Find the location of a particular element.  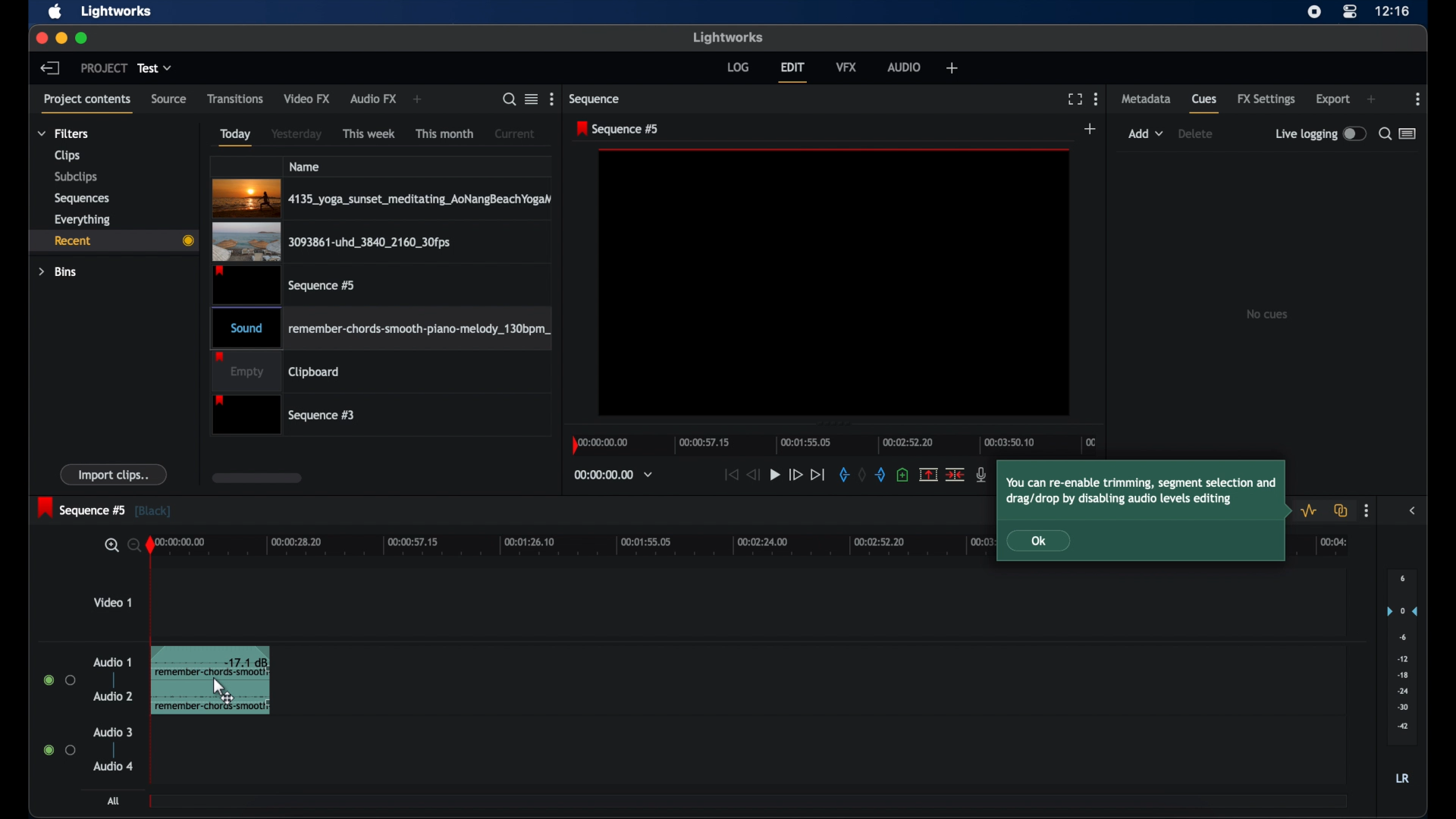

video 1 is located at coordinates (112, 602).